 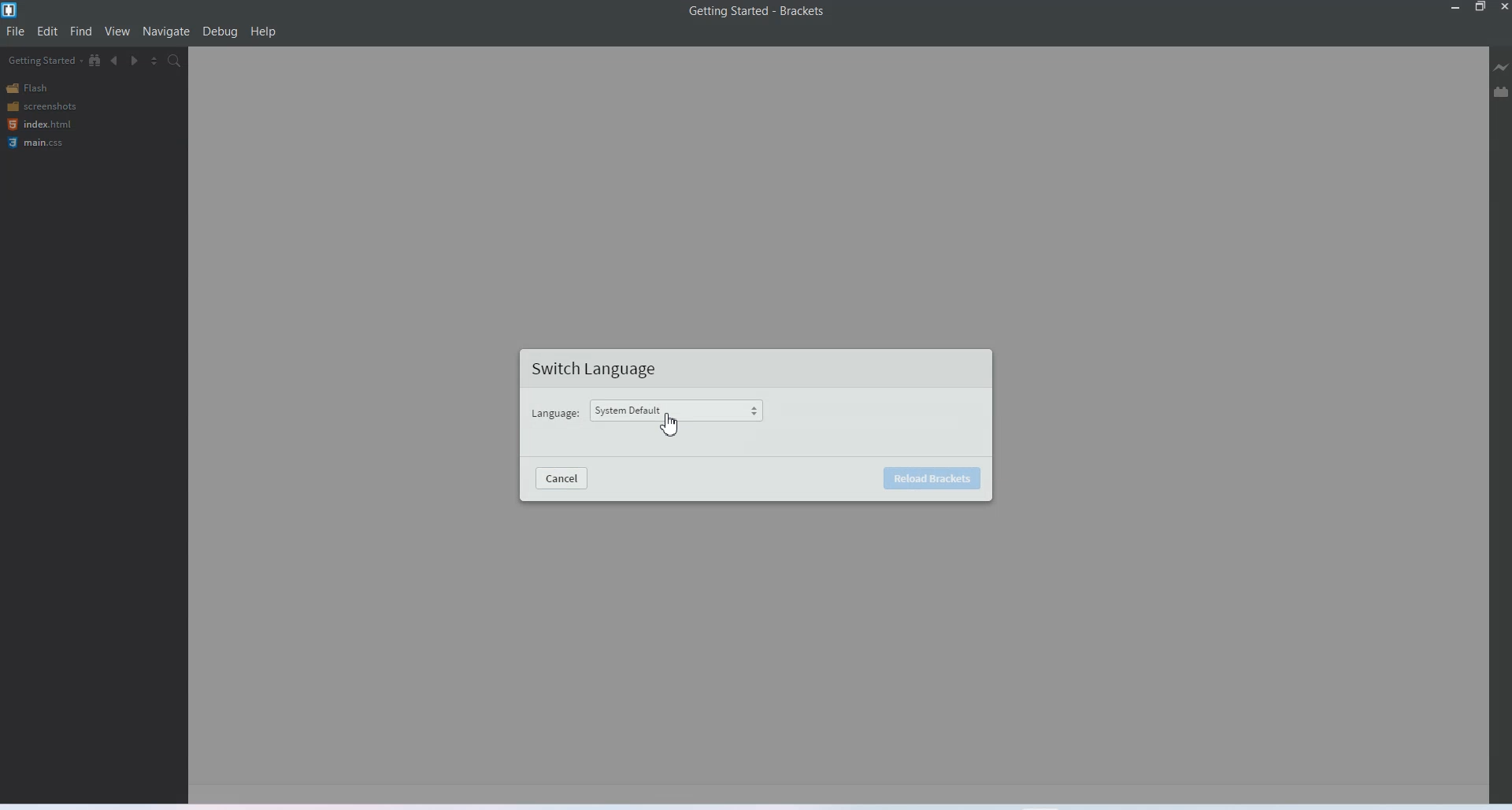 What do you see at coordinates (1502, 67) in the screenshot?
I see `Live preview` at bounding box center [1502, 67].